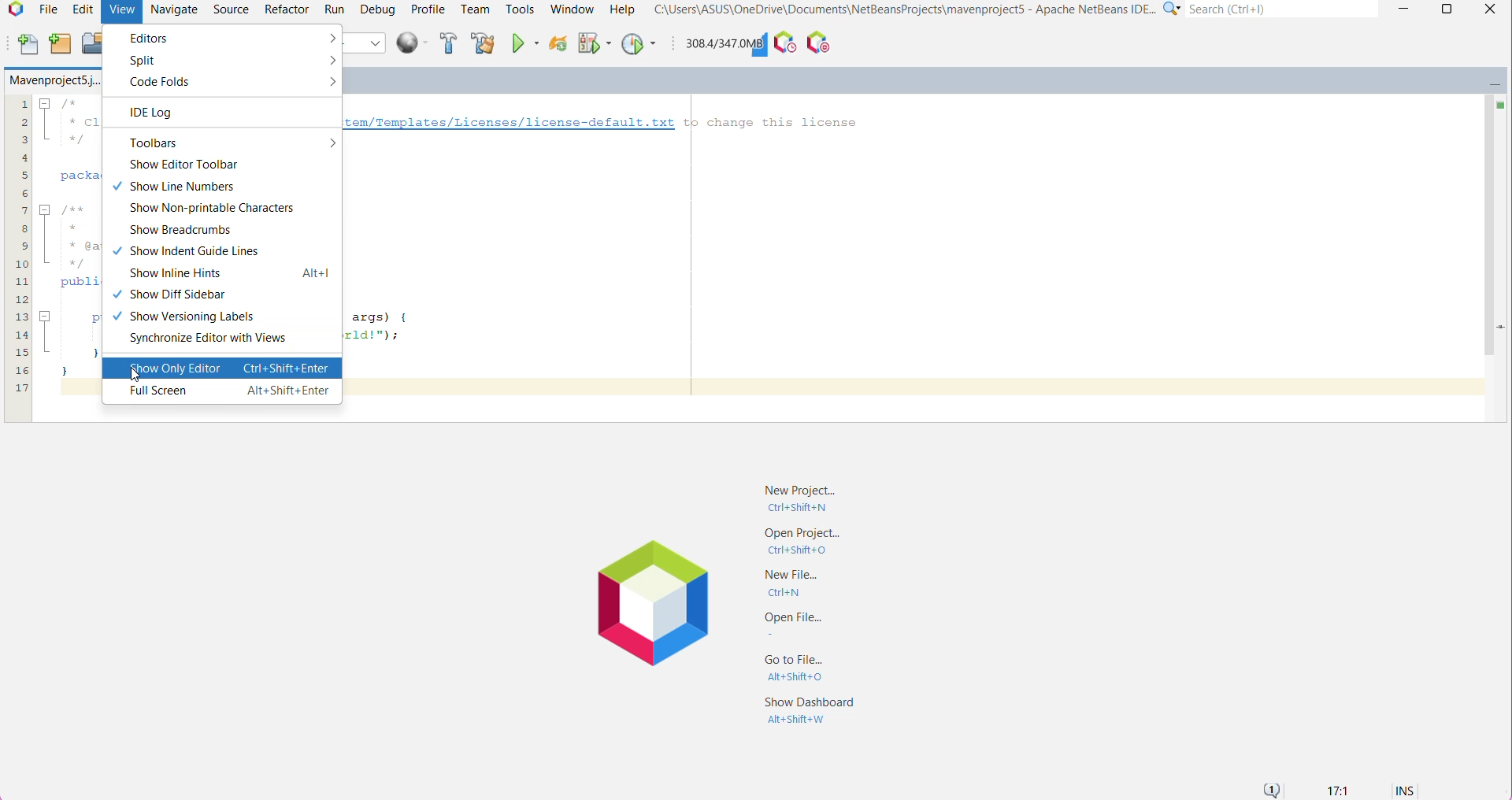  Describe the element at coordinates (791, 625) in the screenshot. I see `Open File` at that location.